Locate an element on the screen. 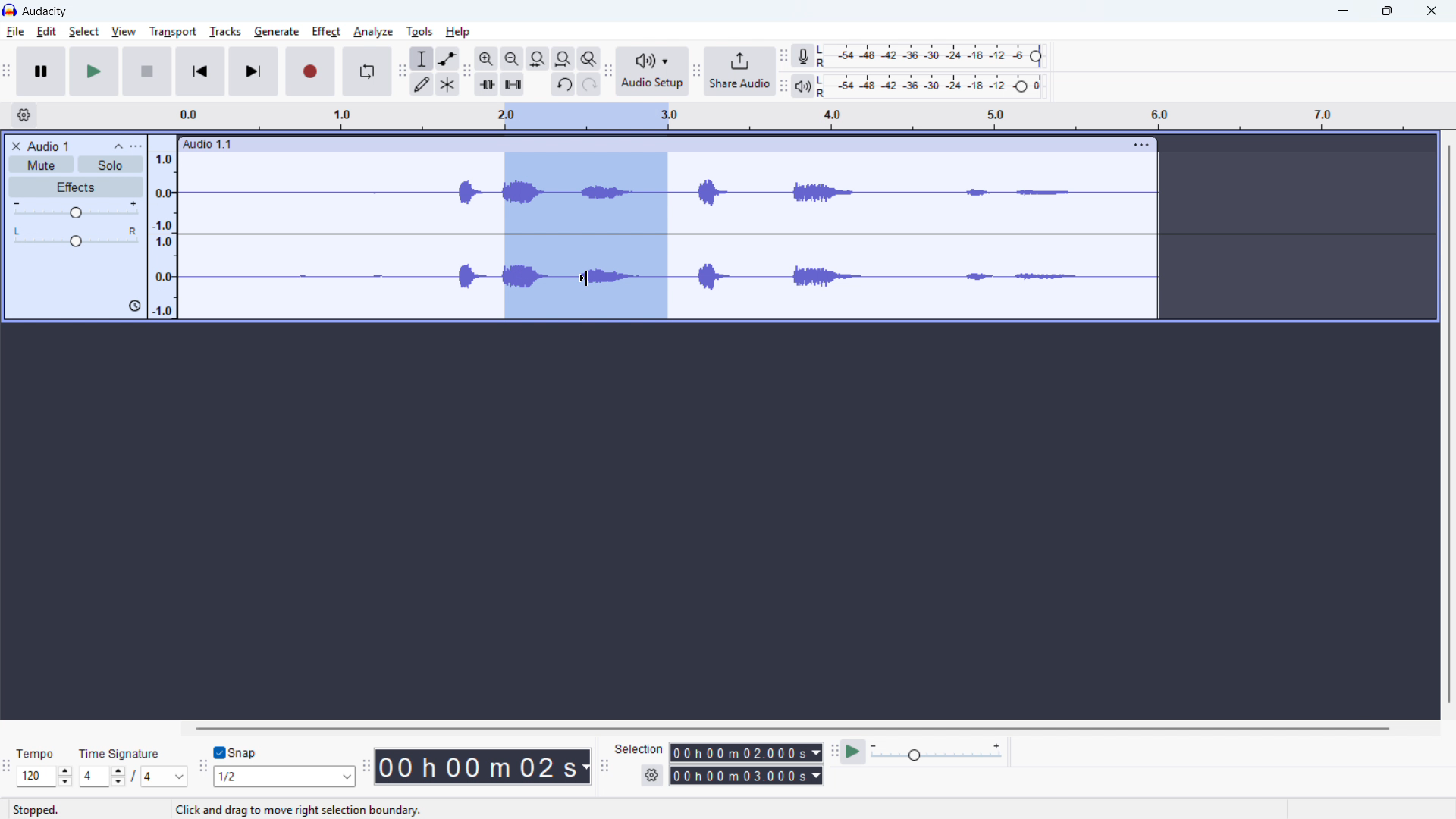 The image size is (1456, 819). Vertical scroll bar is located at coordinates (1447, 435).